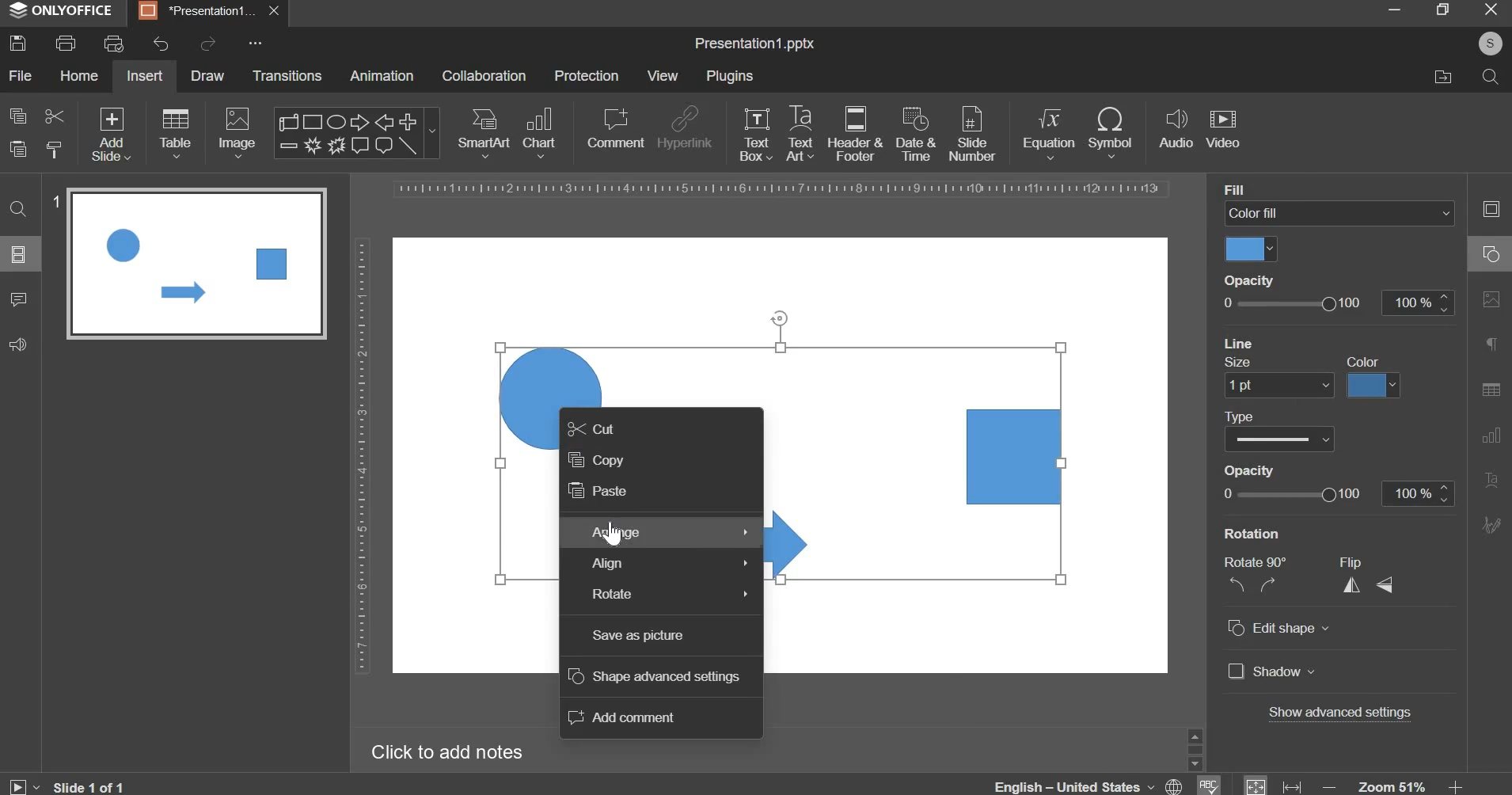 The image size is (1512, 795). What do you see at coordinates (614, 127) in the screenshot?
I see `comment` at bounding box center [614, 127].